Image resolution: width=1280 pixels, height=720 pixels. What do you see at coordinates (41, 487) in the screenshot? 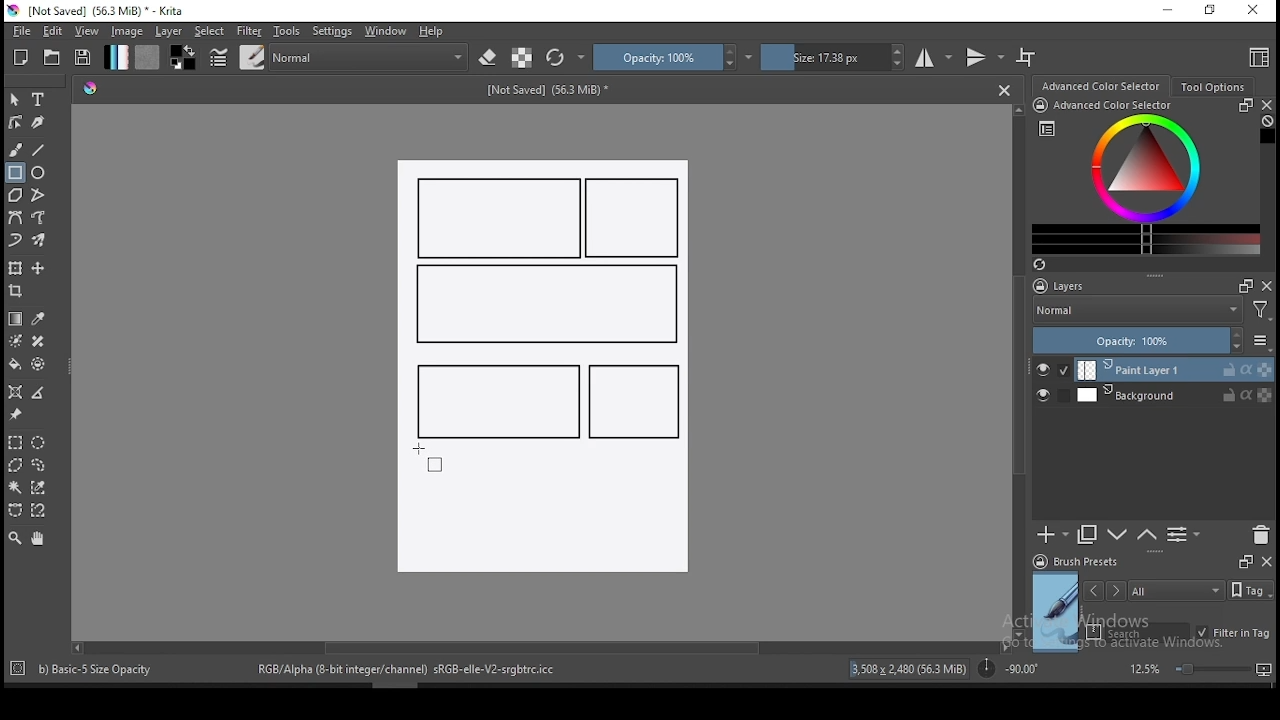
I see `similar color selection tool` at bounding box center [41, 487].